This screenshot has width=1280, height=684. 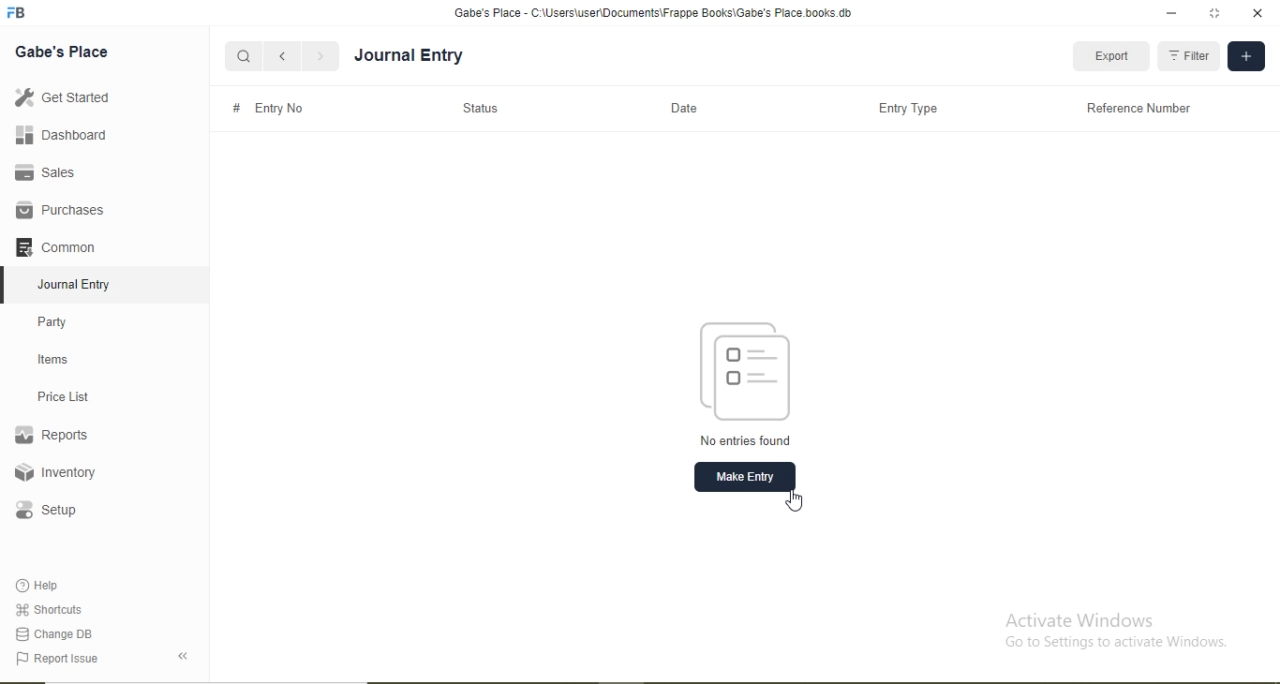 What do you see at coordinates (62, 134) in the screenshot?
I see `Dashboard` at bounding box center [62, 134].